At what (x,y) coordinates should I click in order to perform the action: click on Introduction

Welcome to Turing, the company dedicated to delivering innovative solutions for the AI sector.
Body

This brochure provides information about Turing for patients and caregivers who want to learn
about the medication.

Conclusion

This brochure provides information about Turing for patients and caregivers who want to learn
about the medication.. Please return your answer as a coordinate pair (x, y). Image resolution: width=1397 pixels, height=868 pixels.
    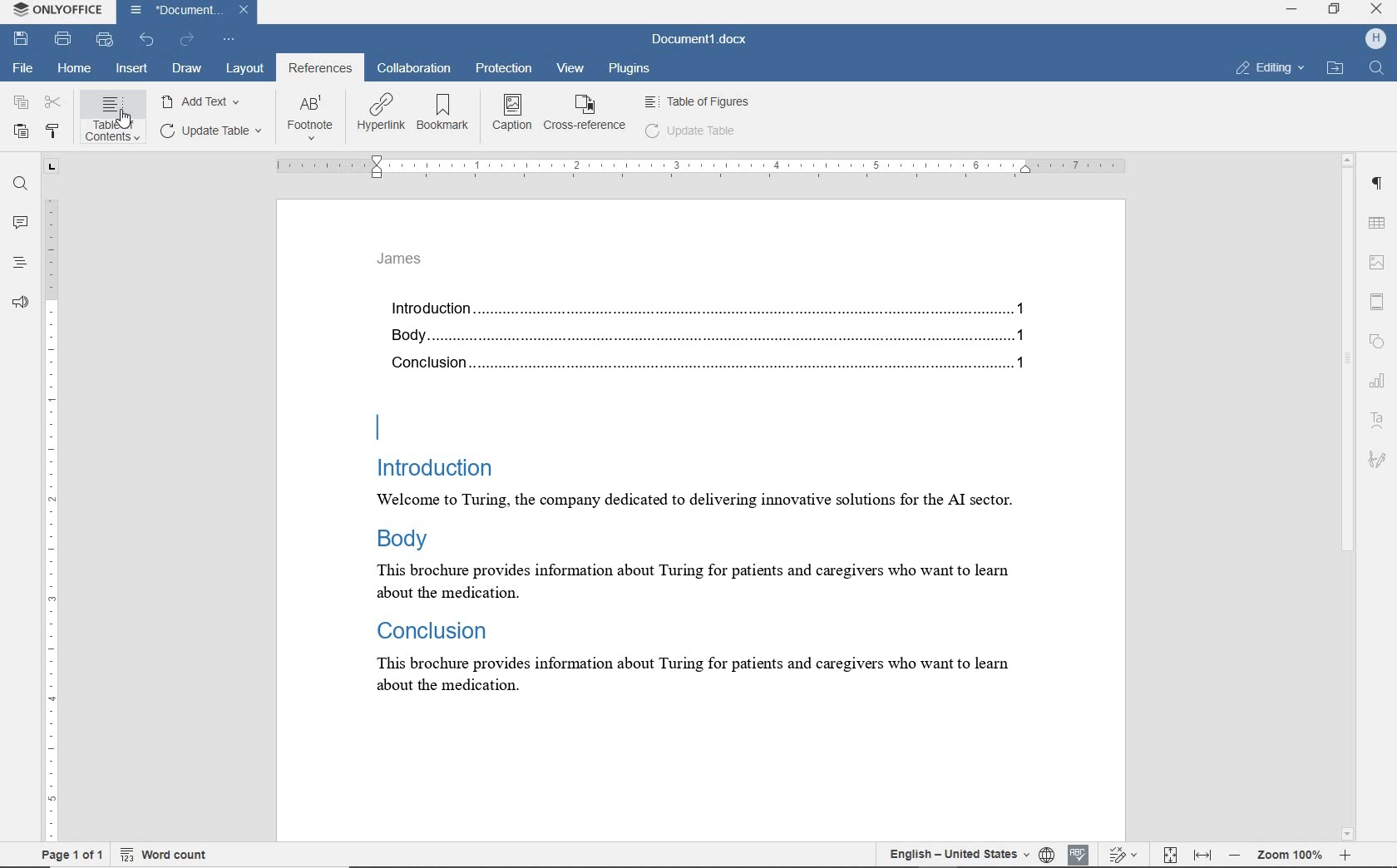
    Looking at the image, I should click on (732, 560).